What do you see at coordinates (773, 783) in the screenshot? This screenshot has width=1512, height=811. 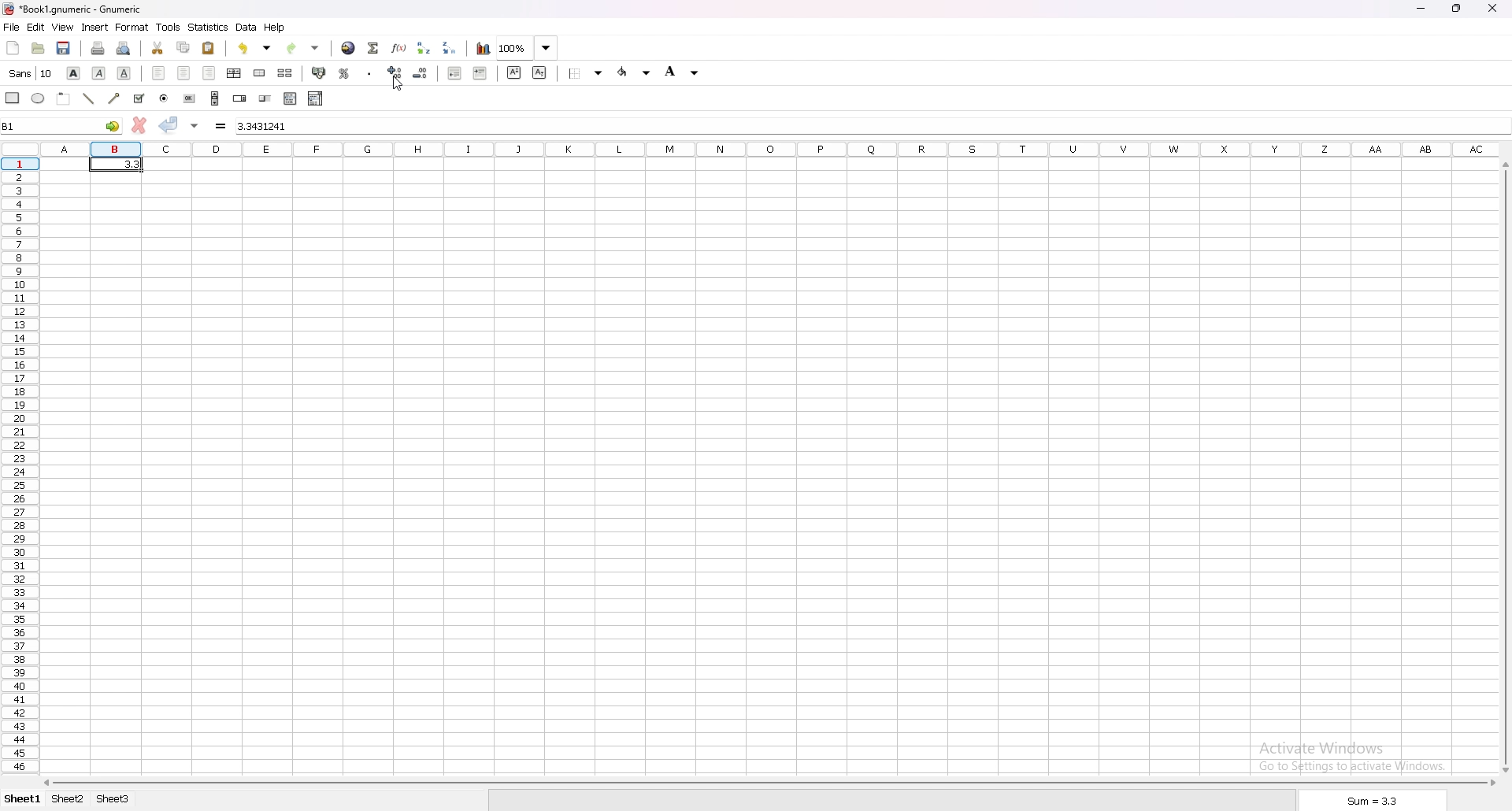 I see `scroll bar` at bounding box center [773, 783].